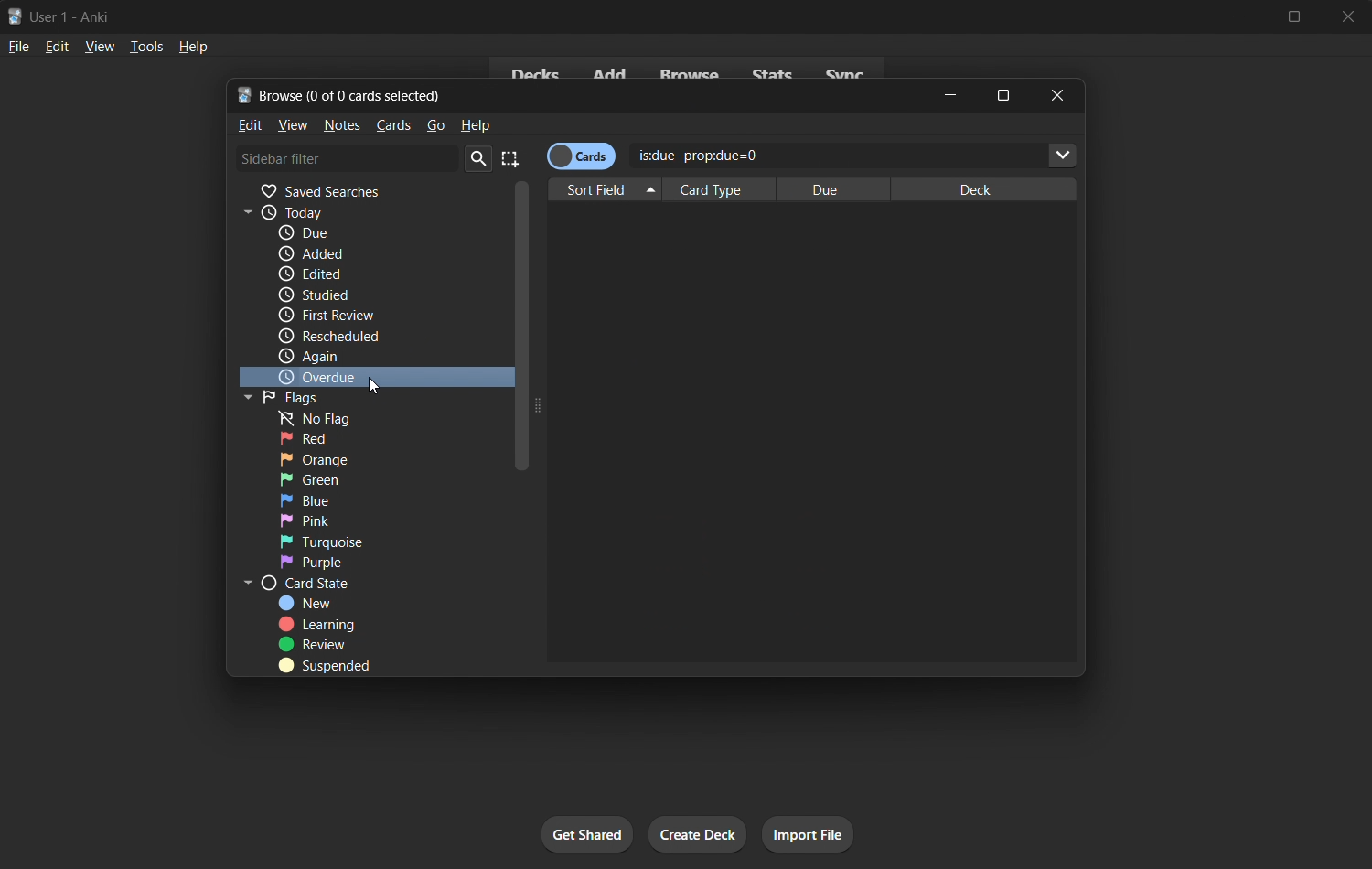 This screenshot has height=869, width=1372. Describe the element at coordinates (438, 125) in the screenshot. I see `go` at that location.